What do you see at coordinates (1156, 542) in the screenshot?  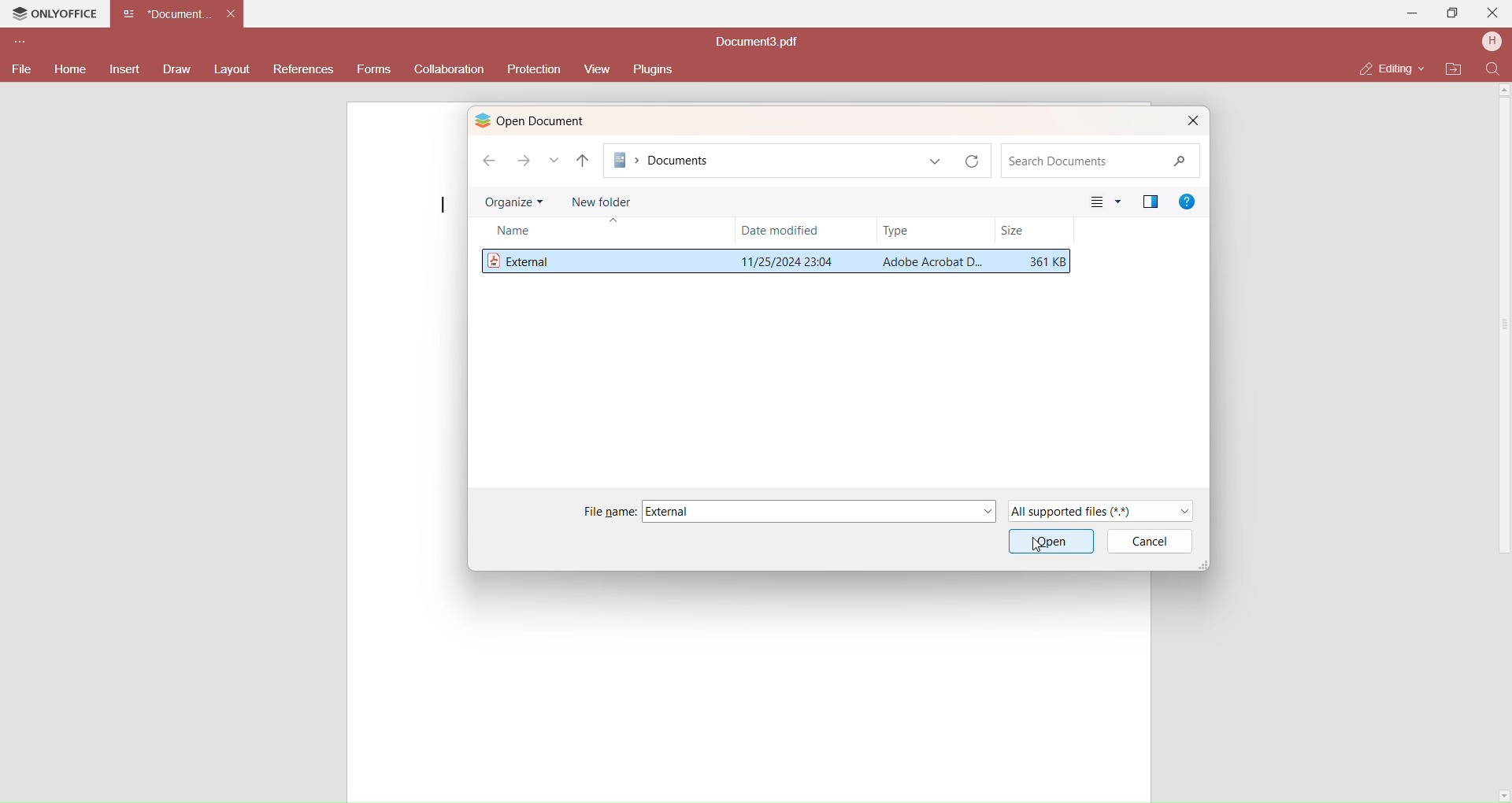 I see `Cancel` at bounding box center [1156, 542].